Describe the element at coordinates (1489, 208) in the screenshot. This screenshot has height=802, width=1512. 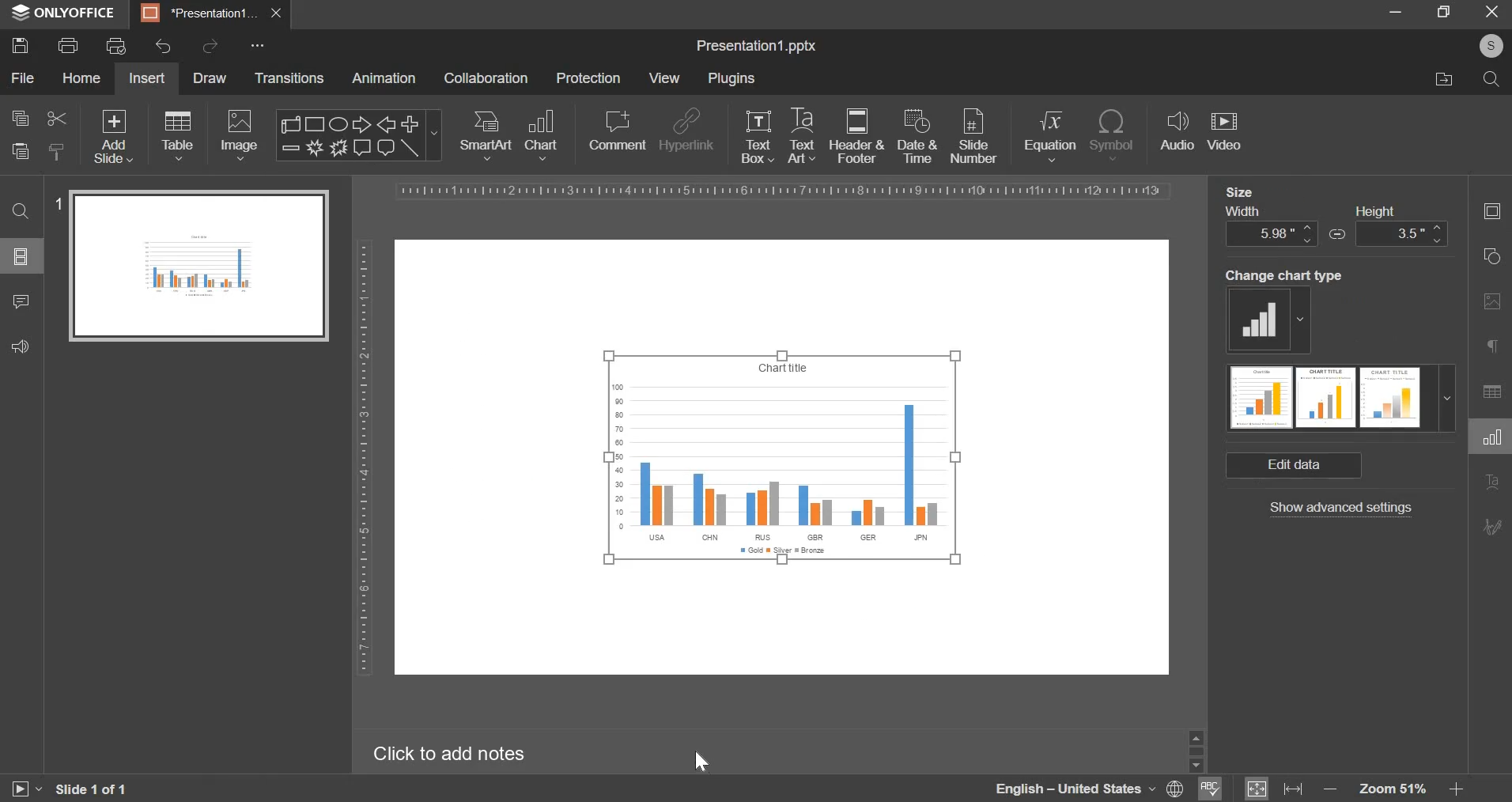
I see `slide settings` at that location.